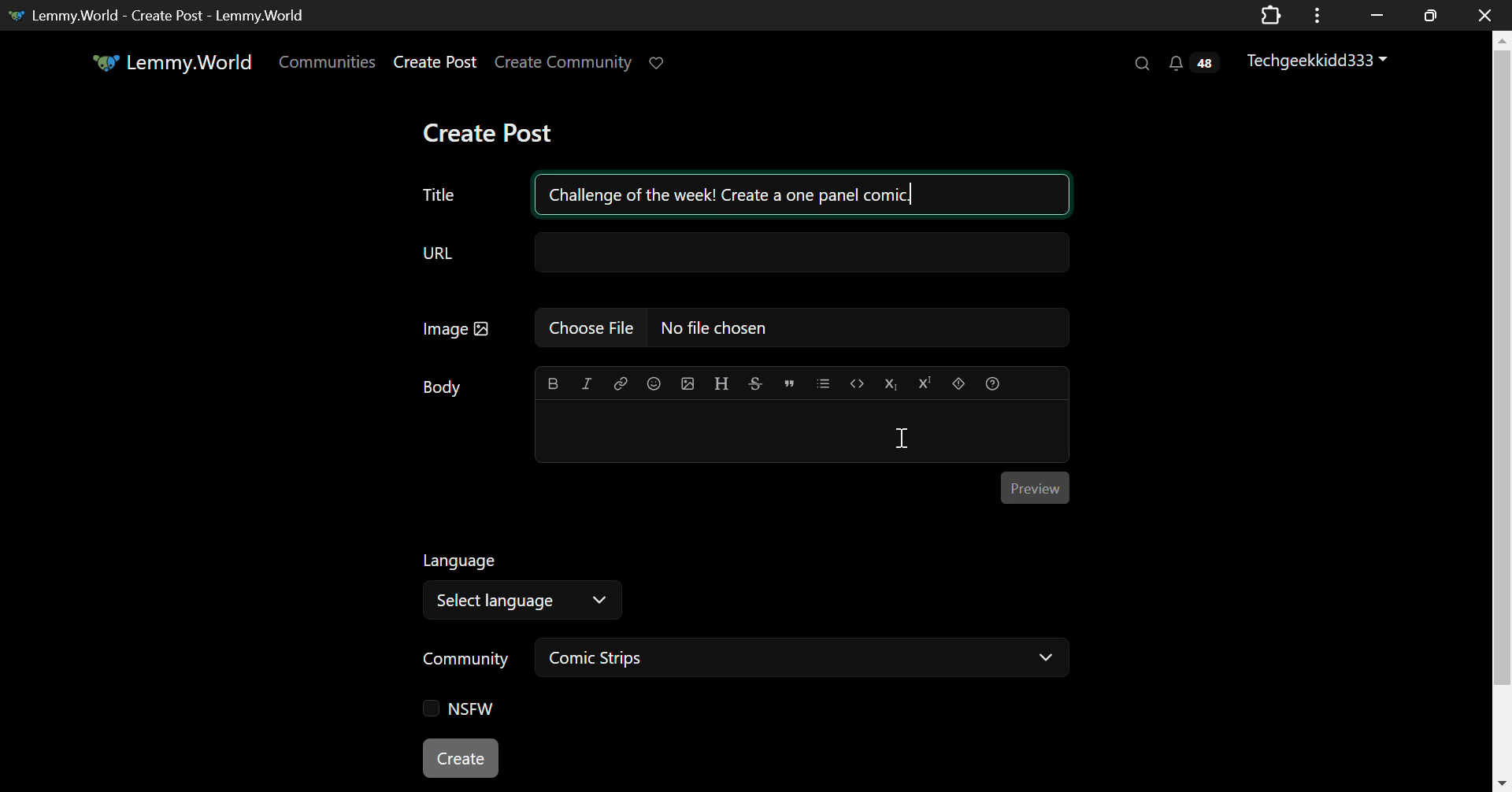 This screenshot has width=1512, height=792. What do you see at coordinates (1432, 15) in the screenshot?
I see `Minimize Window` at bounding box center [1432, 15].